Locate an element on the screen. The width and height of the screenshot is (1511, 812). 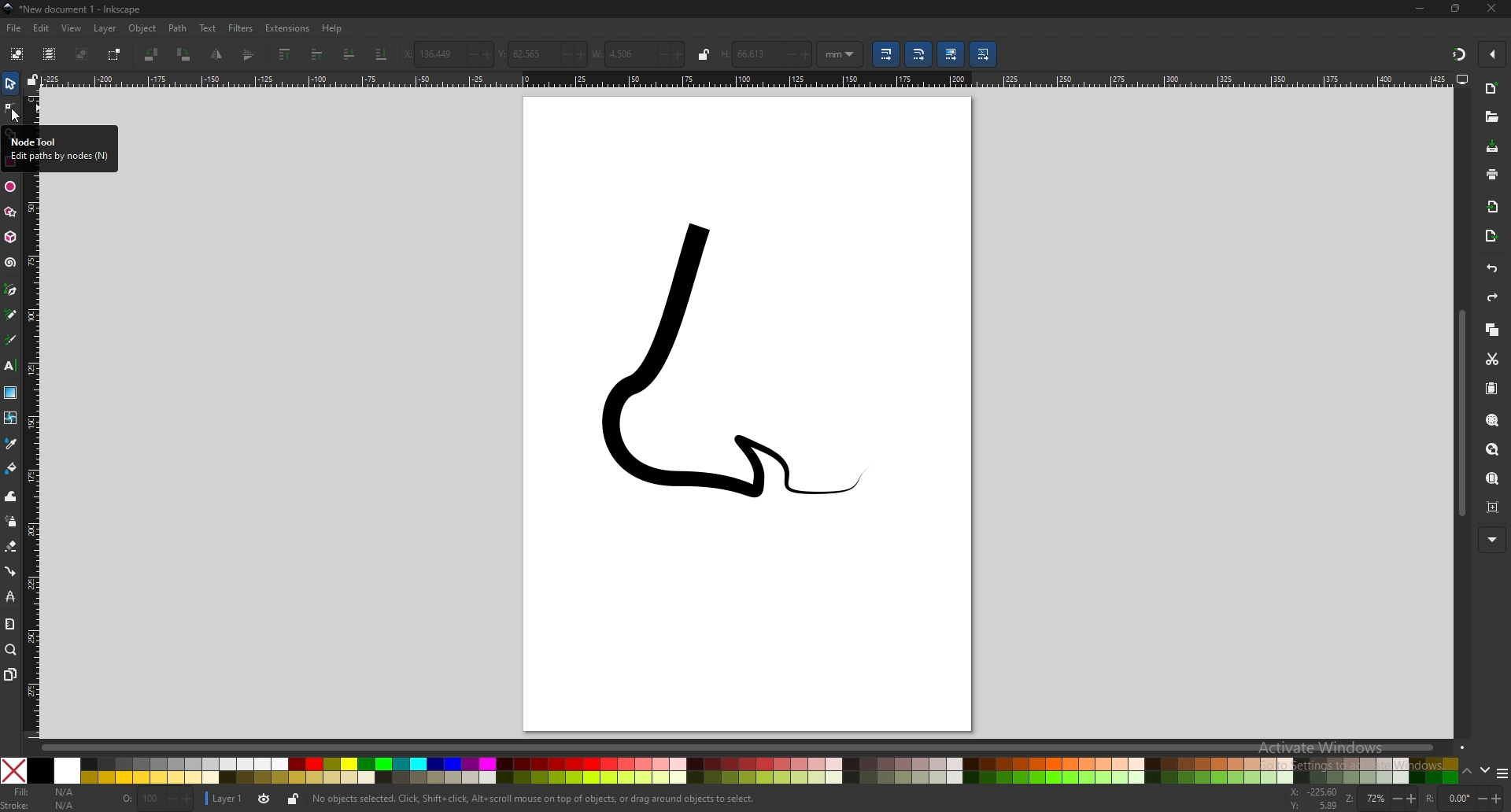
toggle lock guide is located at coordinates (33, 79).